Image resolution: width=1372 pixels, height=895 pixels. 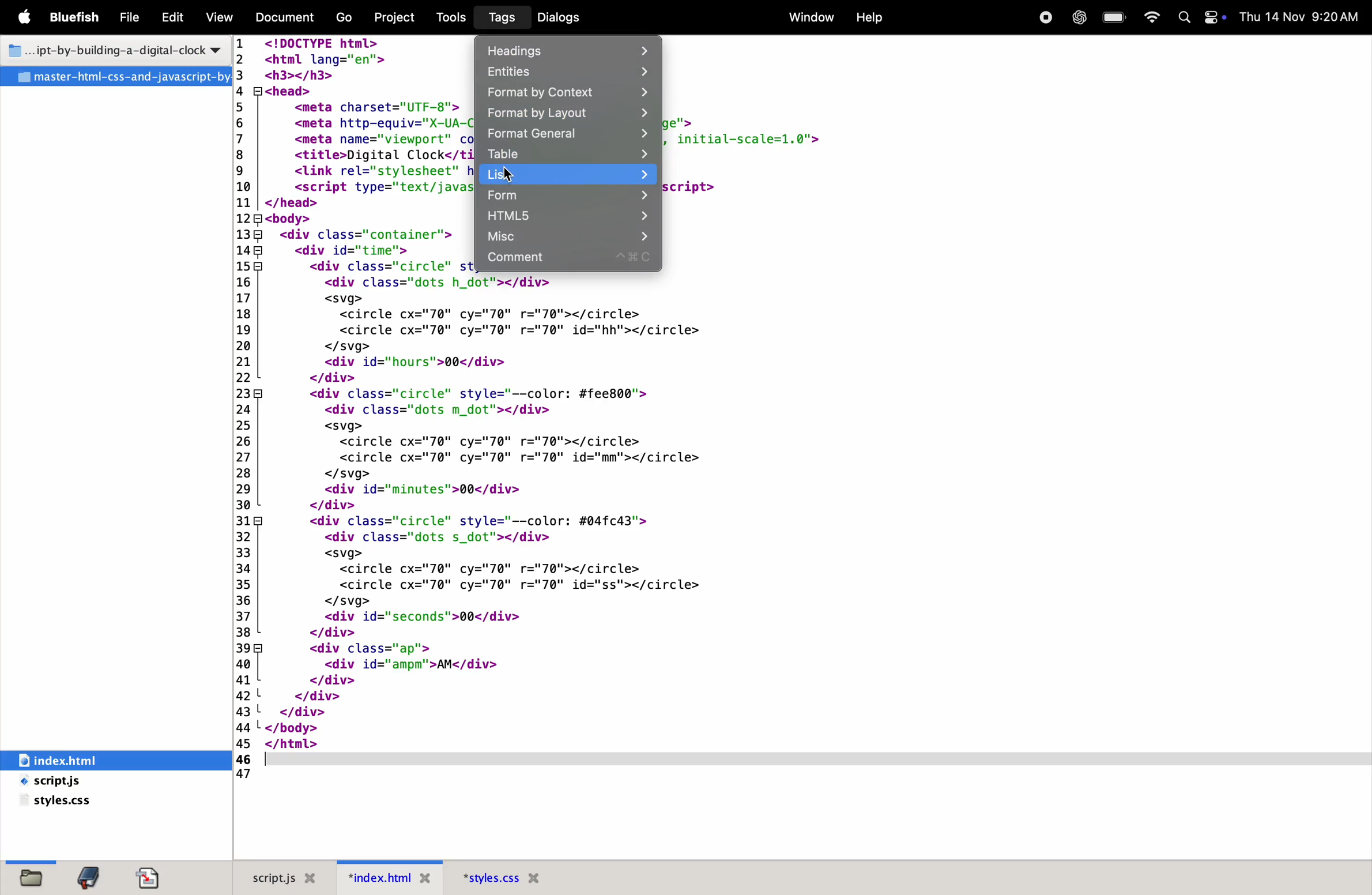 I want to click on Apple widgets, so click(x=1198, y=18).